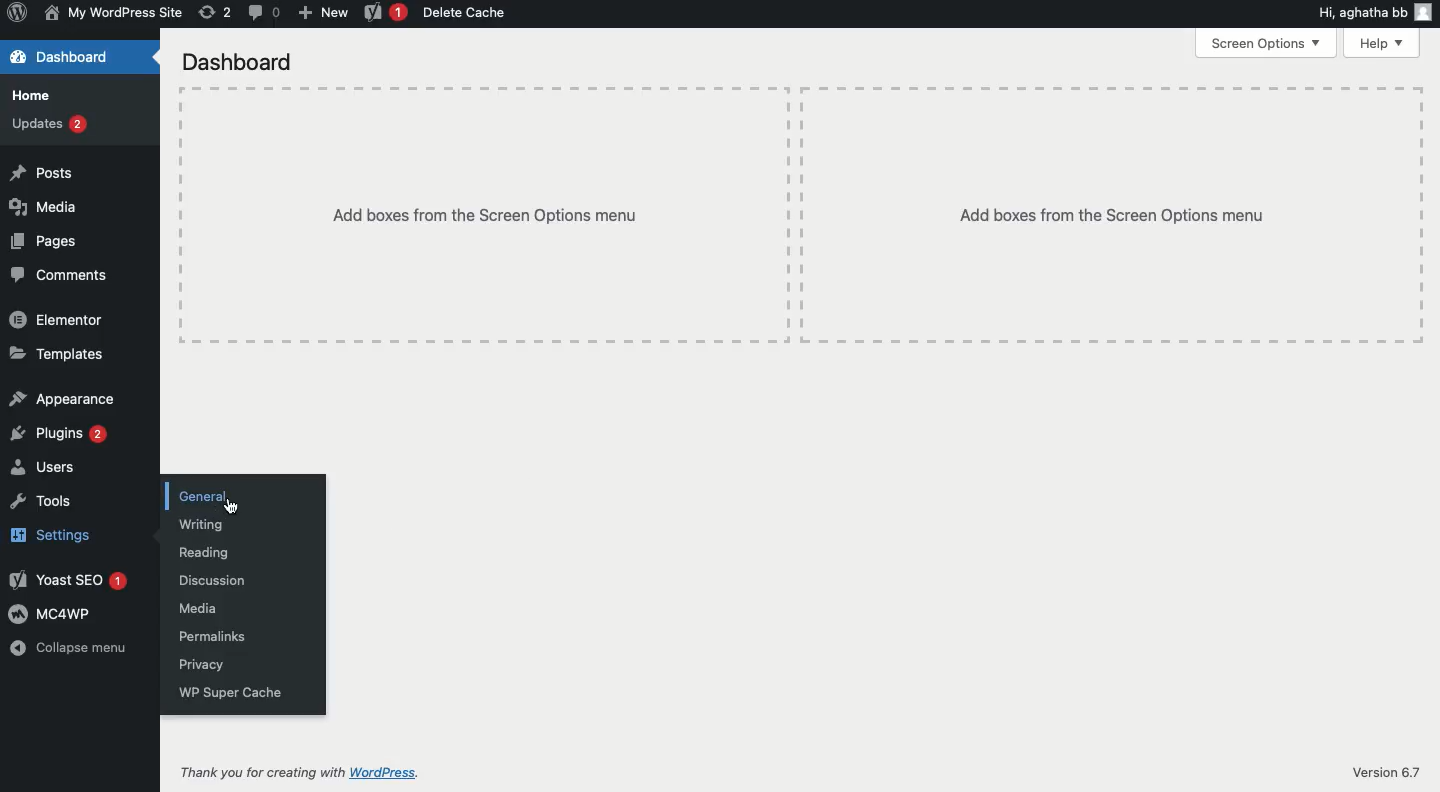  Describe the element at coordinates (58, 354) in the screenshot. I see `Templates` at that location.